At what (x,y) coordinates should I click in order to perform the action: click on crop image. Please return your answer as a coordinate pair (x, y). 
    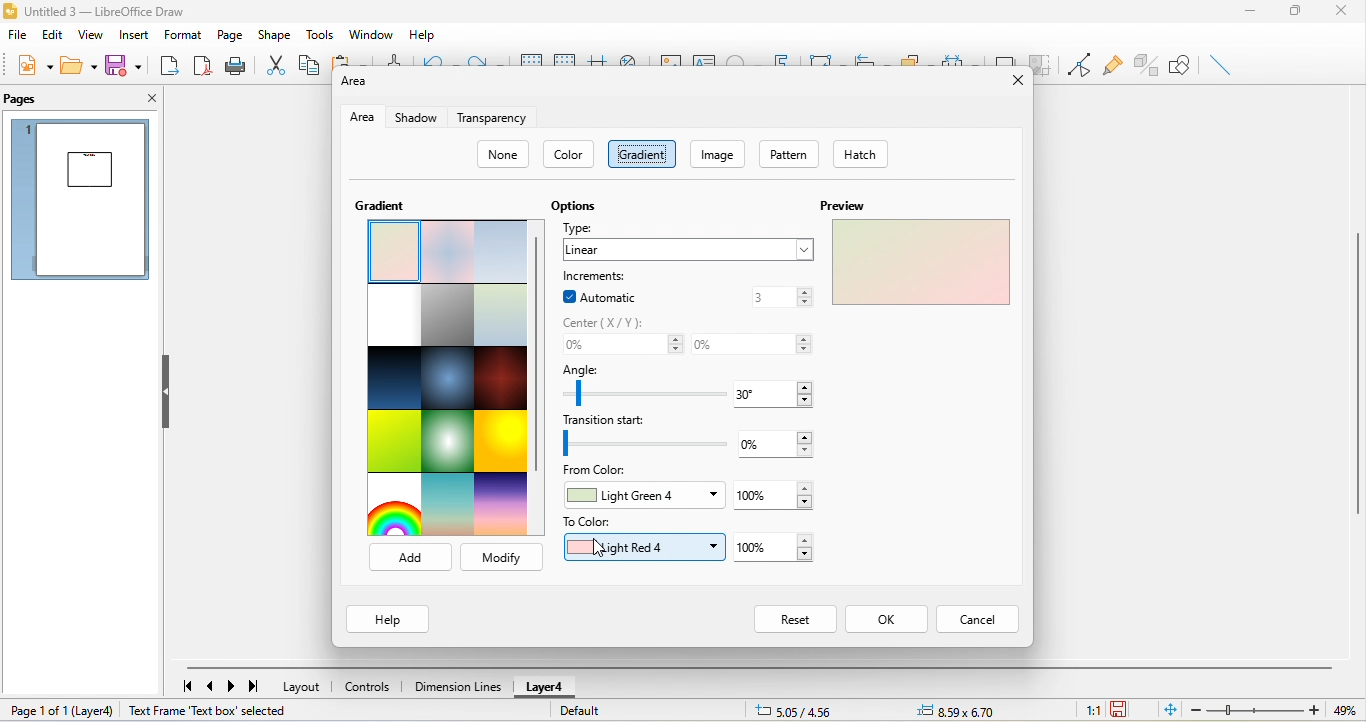
    Looking at the image, I should click on (1041, 63).